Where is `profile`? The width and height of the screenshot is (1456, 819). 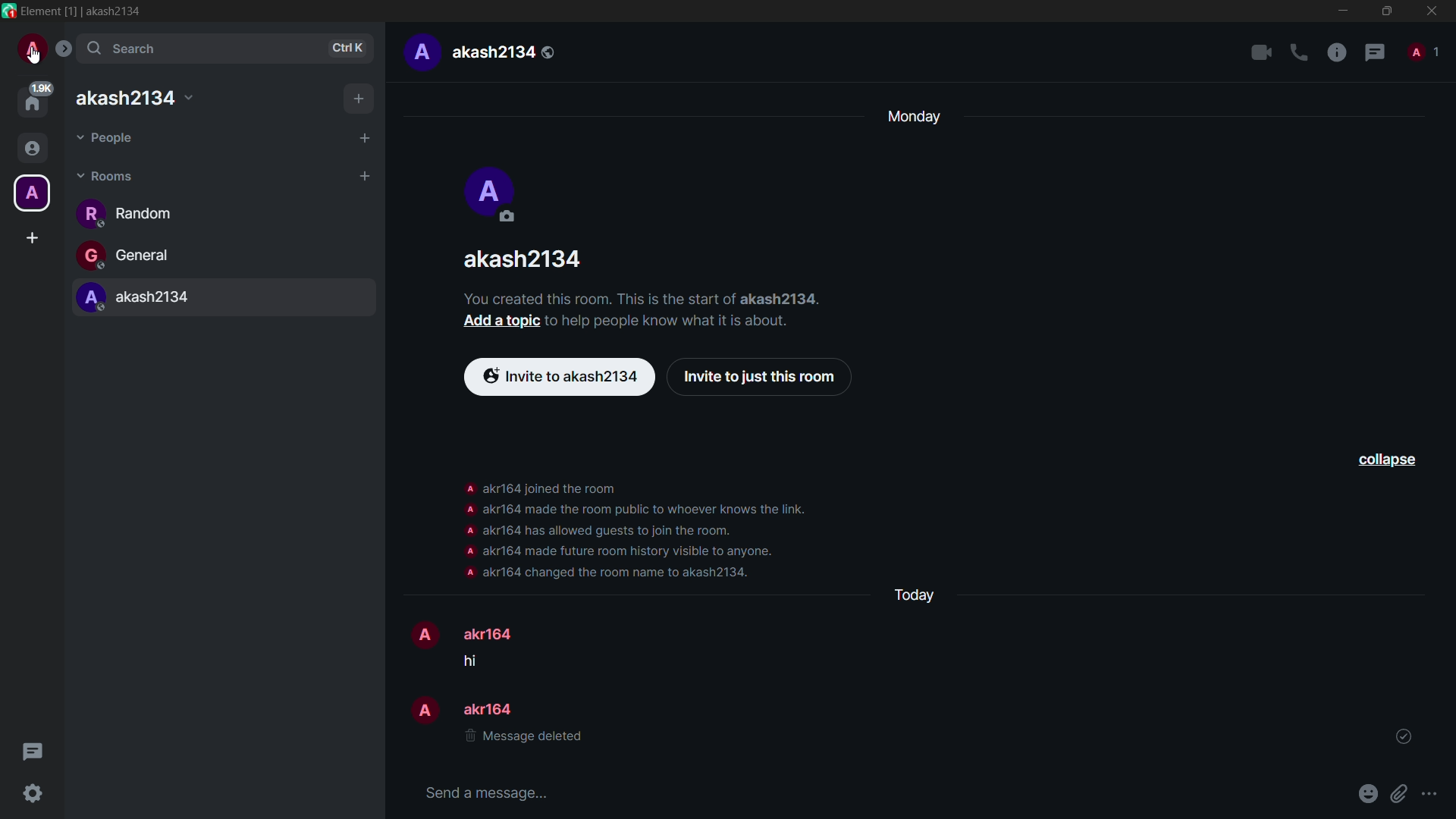 profile is located at coordinates (468, 573).